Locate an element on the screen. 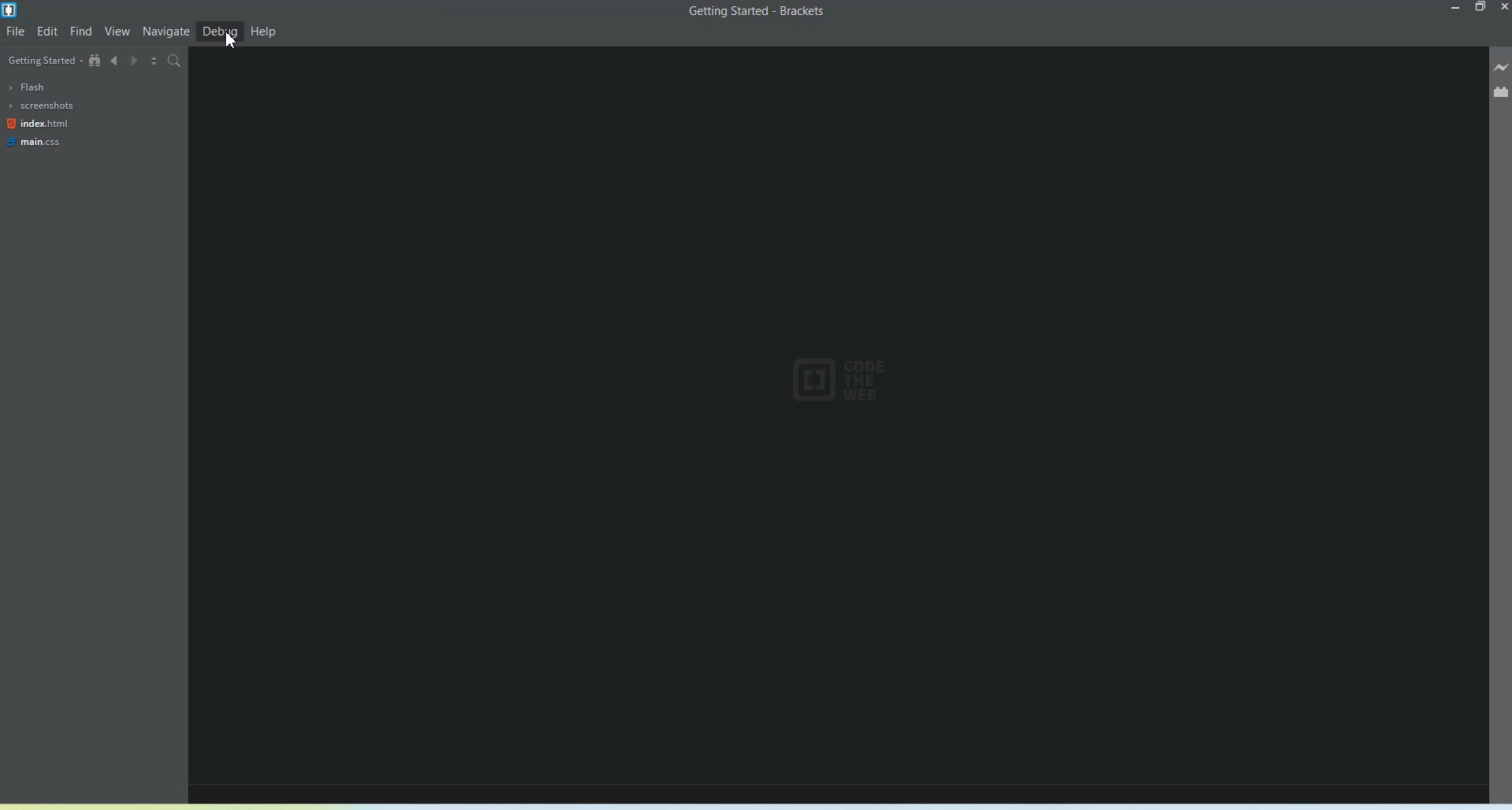 This screenshot has width=1512, height=810. Find is located at coordinates (82, 32).